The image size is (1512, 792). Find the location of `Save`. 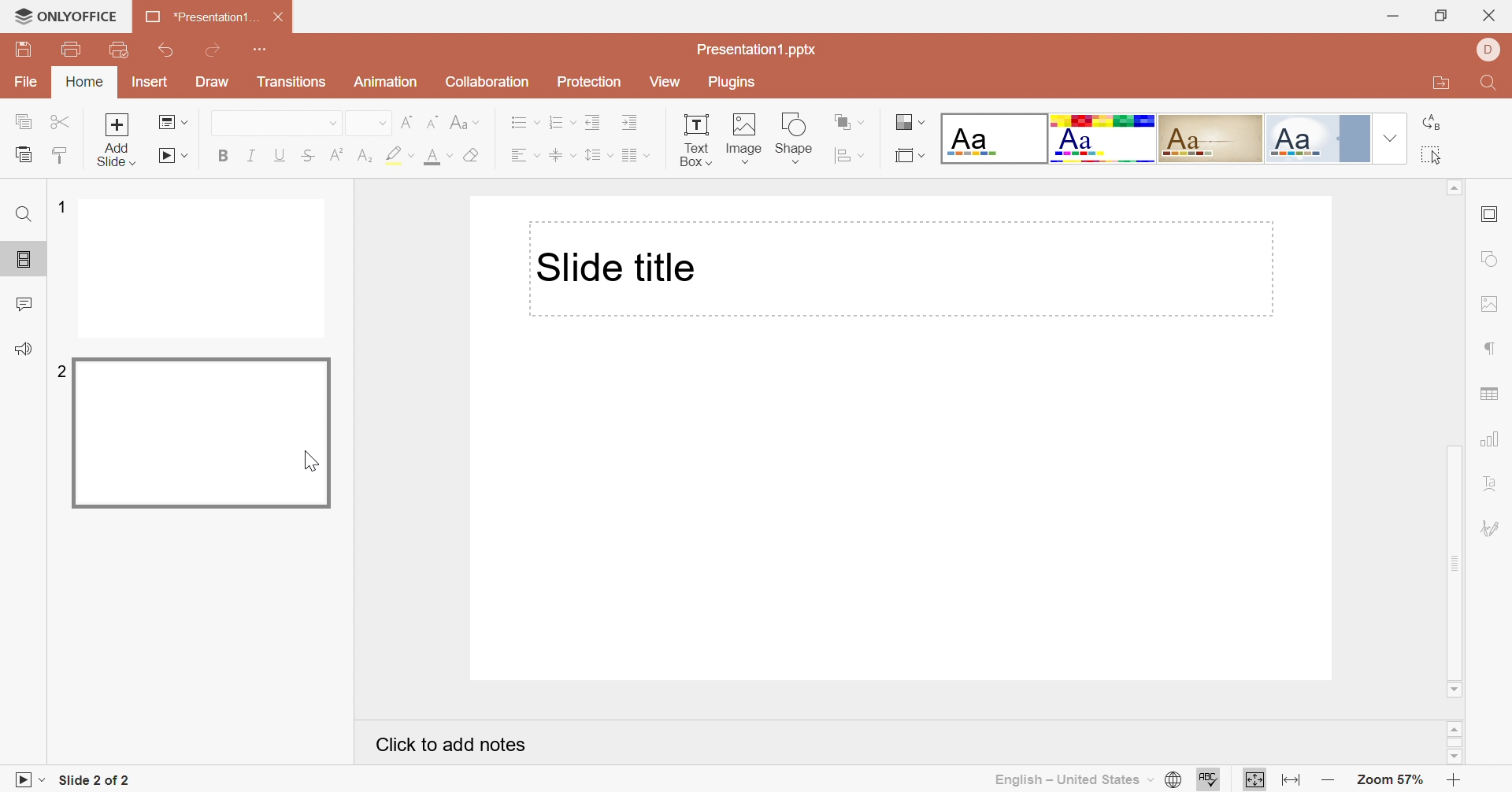

Save is located at coordinates (23, 50).